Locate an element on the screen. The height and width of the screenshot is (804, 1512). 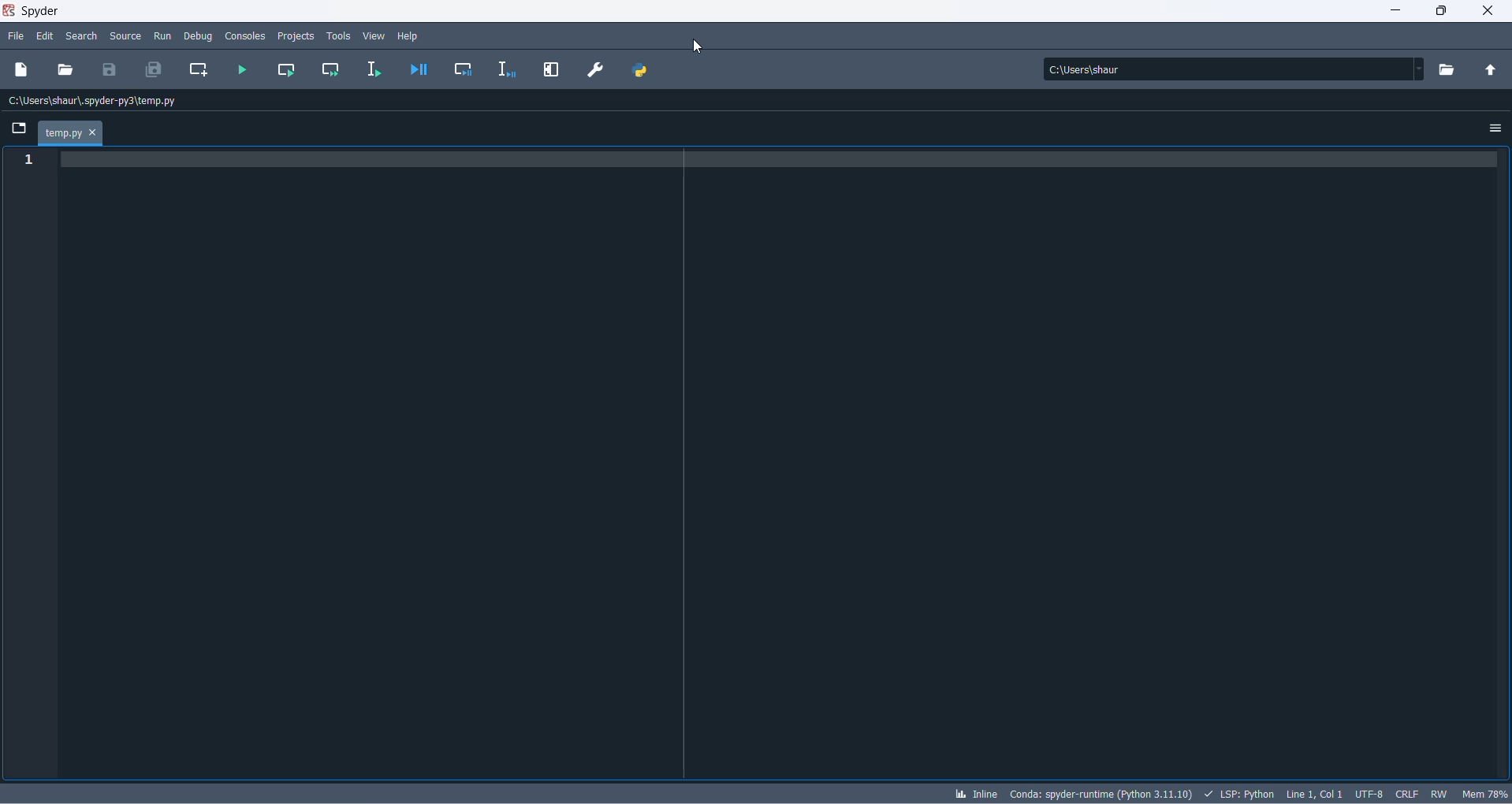
help is located at coordinates (412, 35).